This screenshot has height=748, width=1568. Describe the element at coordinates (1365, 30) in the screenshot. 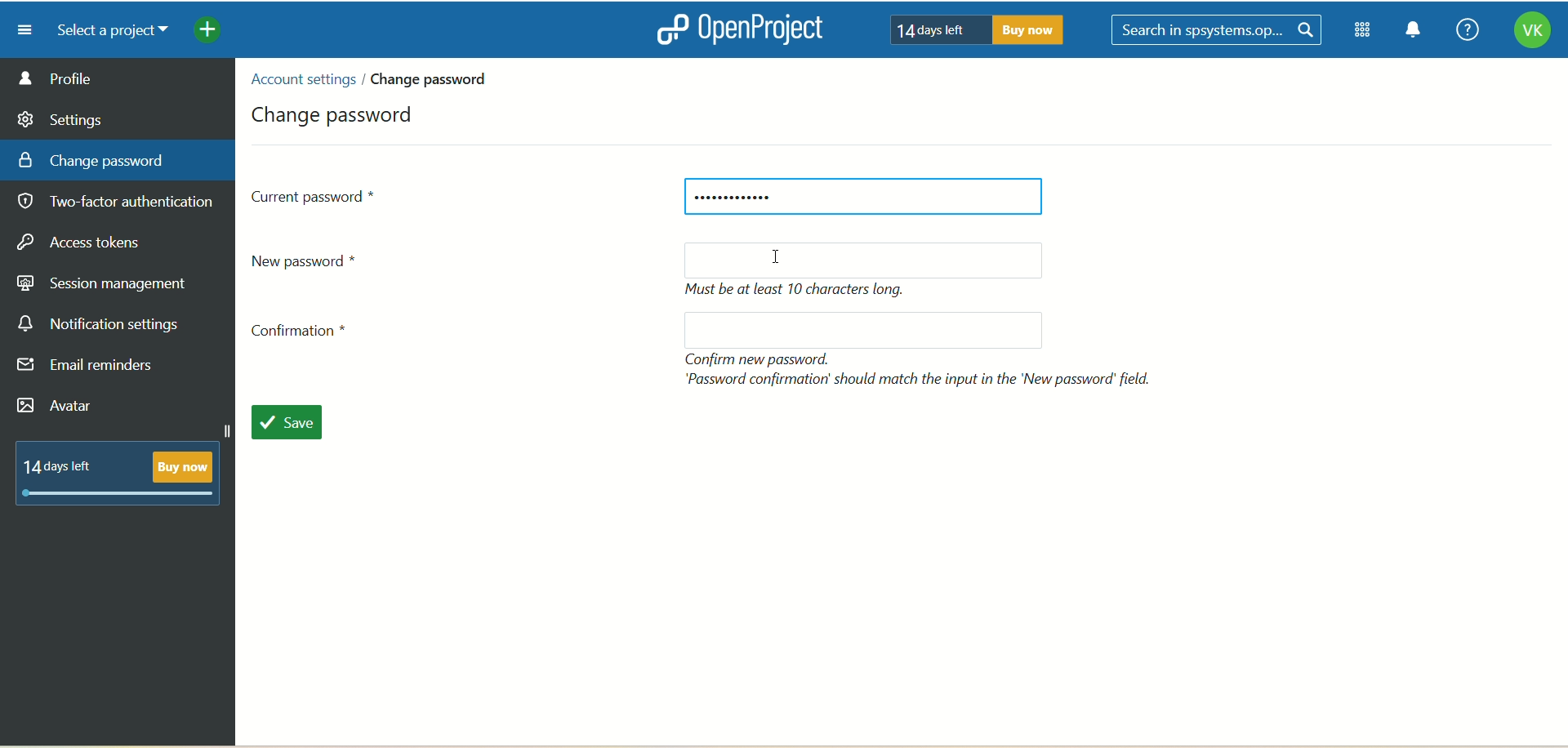

I see `module` at that location.